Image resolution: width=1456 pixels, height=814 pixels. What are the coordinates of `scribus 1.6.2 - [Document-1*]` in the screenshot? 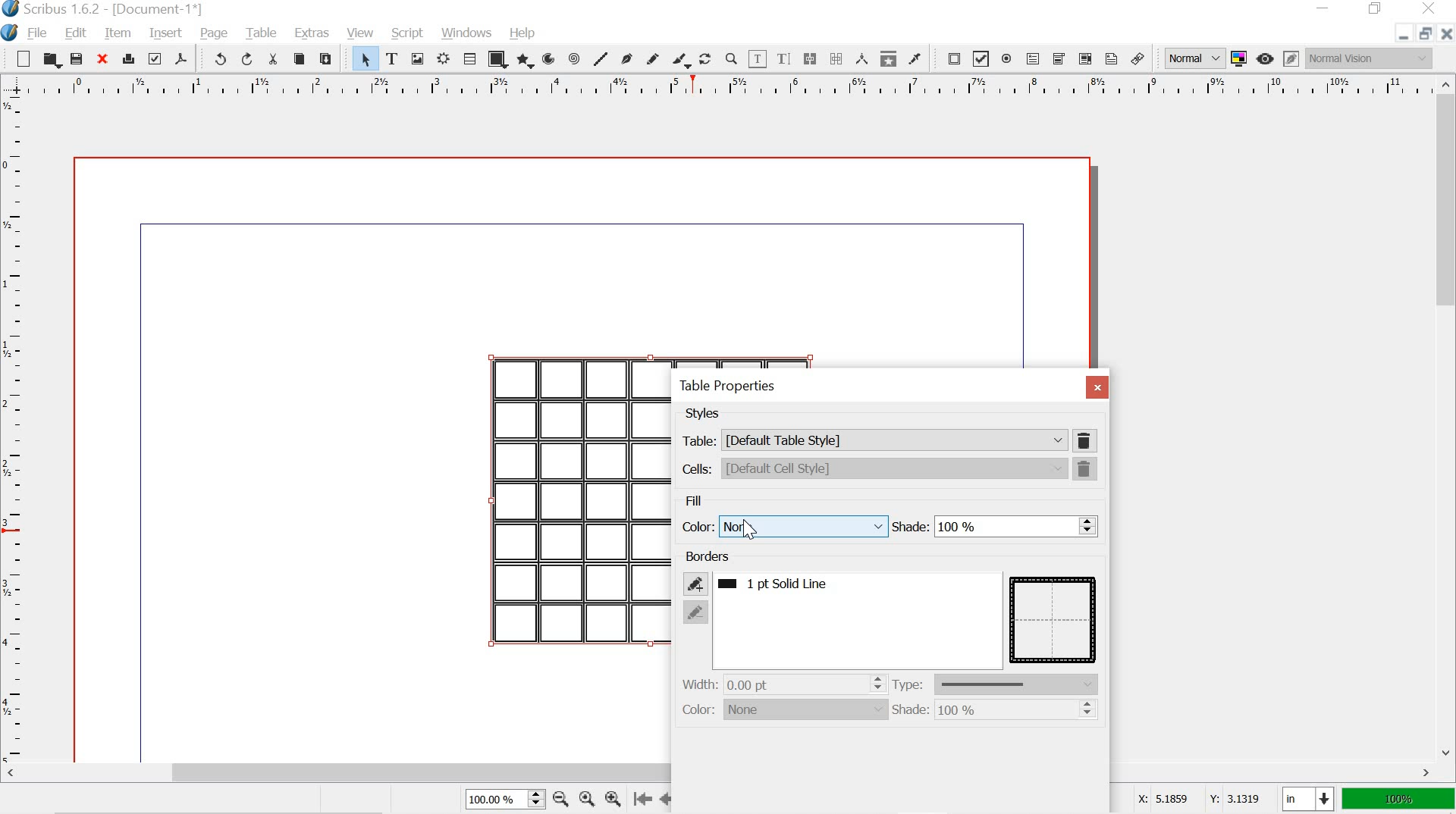 It's located at (111, 9).